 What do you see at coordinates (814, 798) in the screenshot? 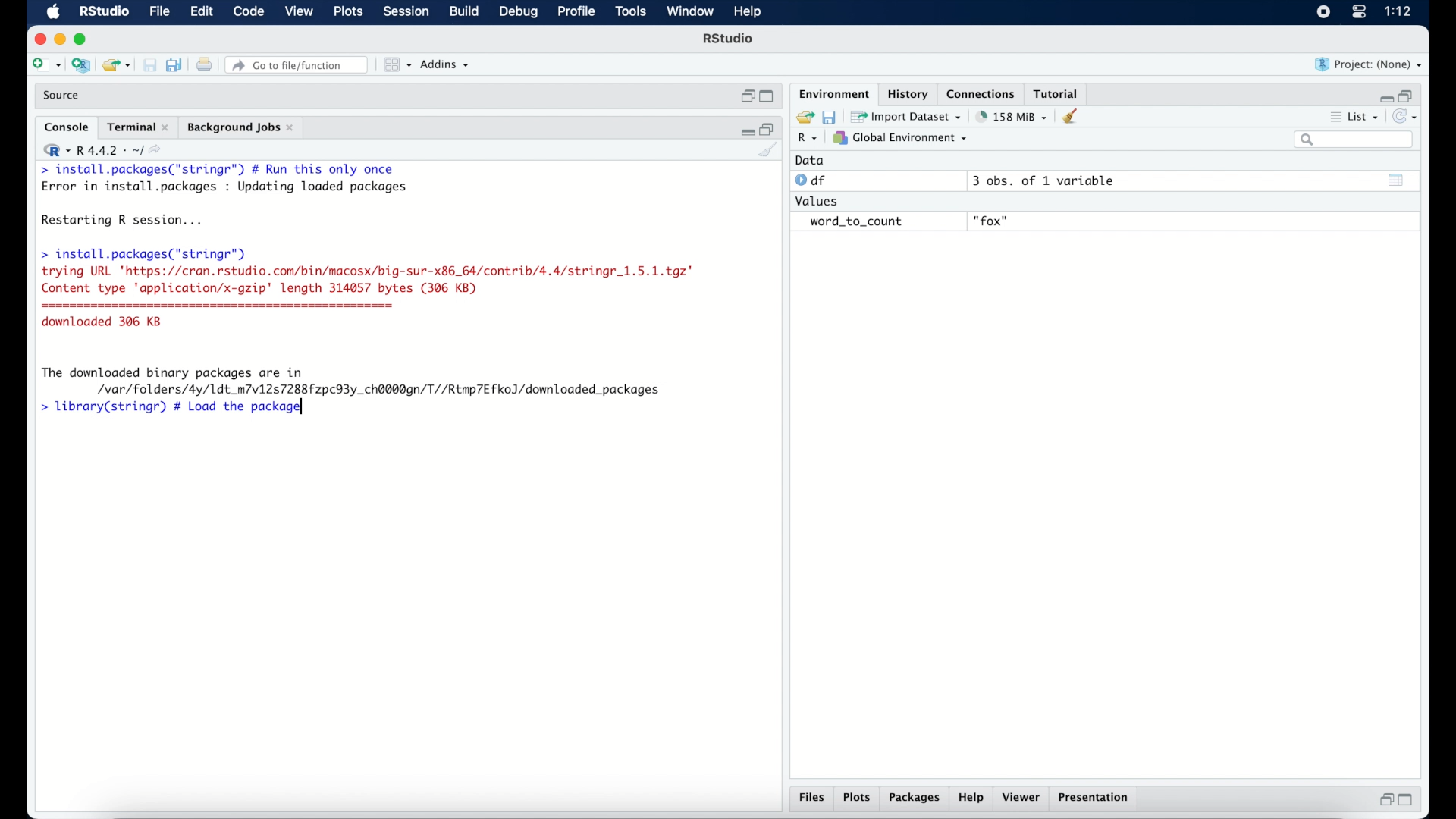
I see `files` at bounding box center [814, 798].